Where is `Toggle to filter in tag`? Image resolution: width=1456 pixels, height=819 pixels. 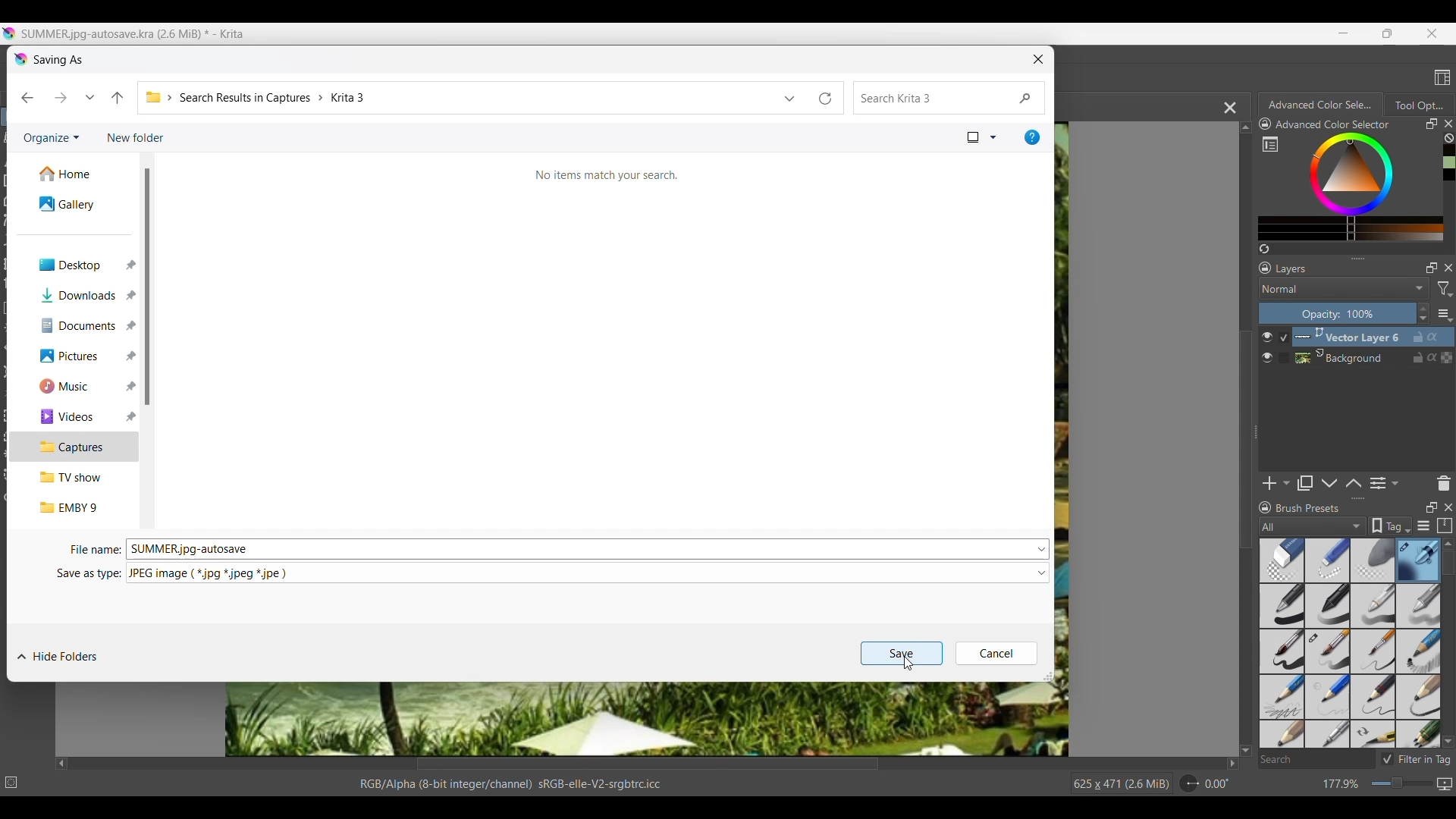
Toggle to filter in tag is located at coordinates (1416, 759).